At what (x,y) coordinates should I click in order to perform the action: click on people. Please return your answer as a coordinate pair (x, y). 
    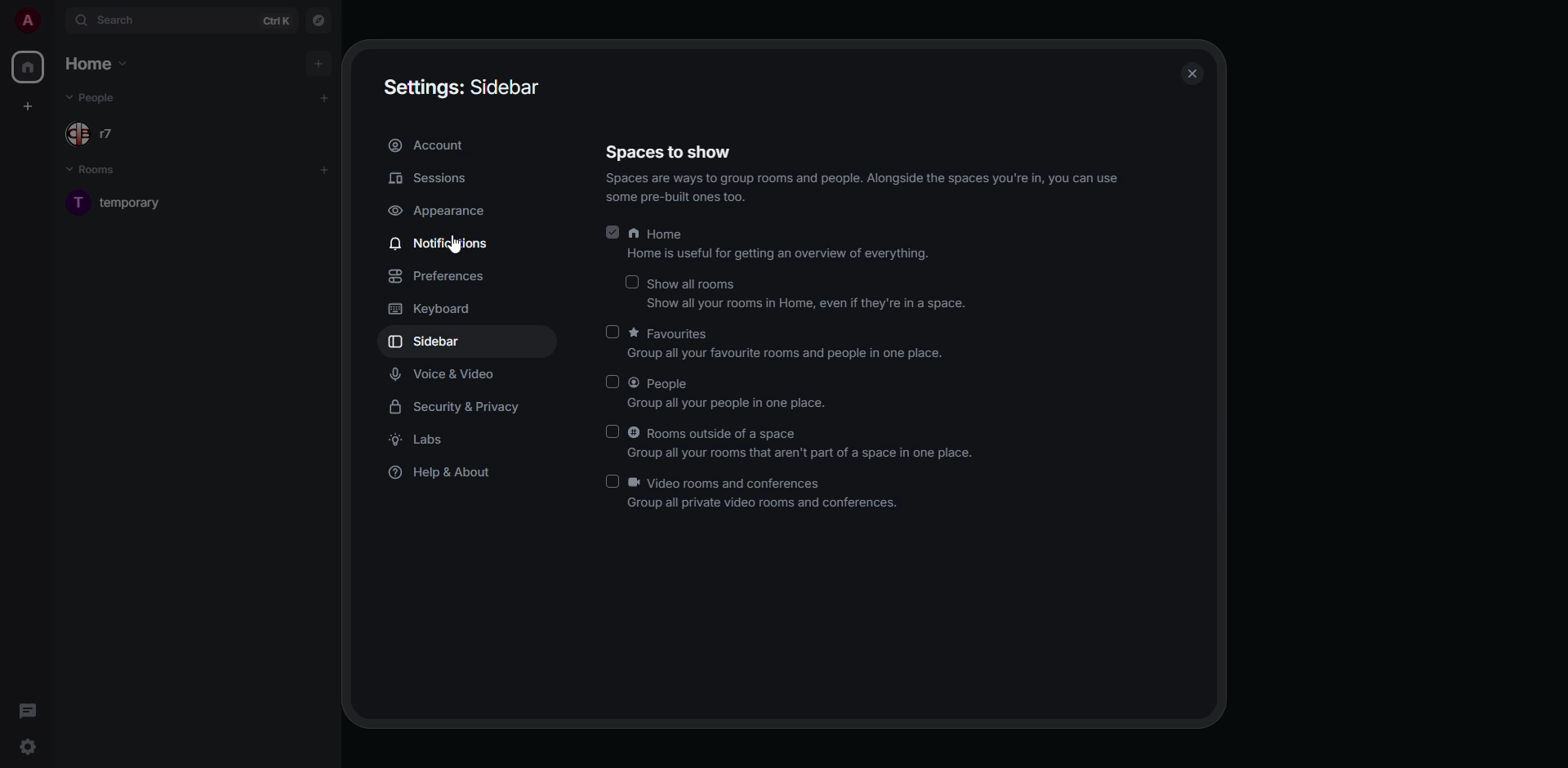
    Looking at the image, I should click on (98, 134).